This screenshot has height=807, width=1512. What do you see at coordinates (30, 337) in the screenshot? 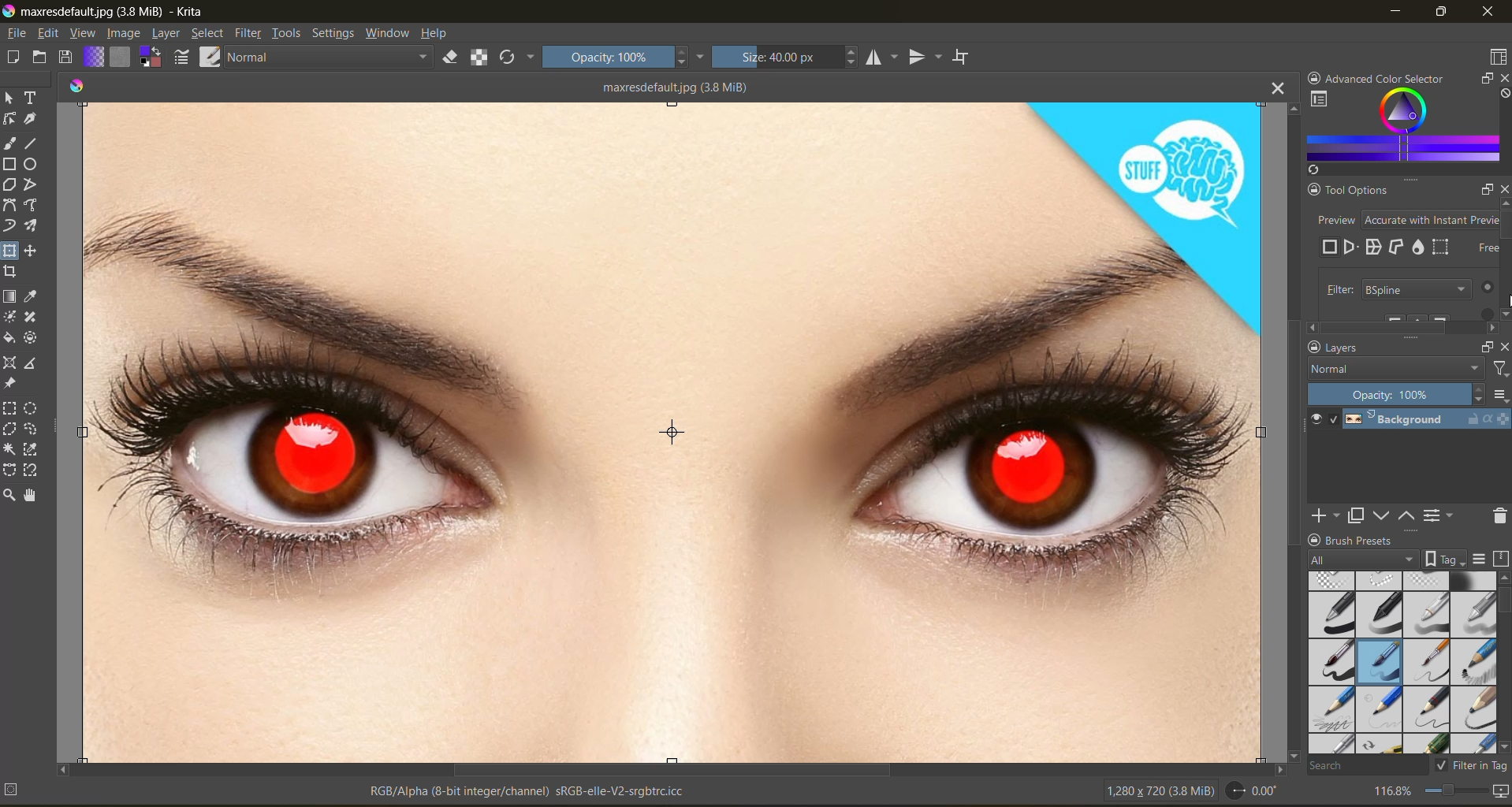
I see `tool` at bounding box center [30, 337].